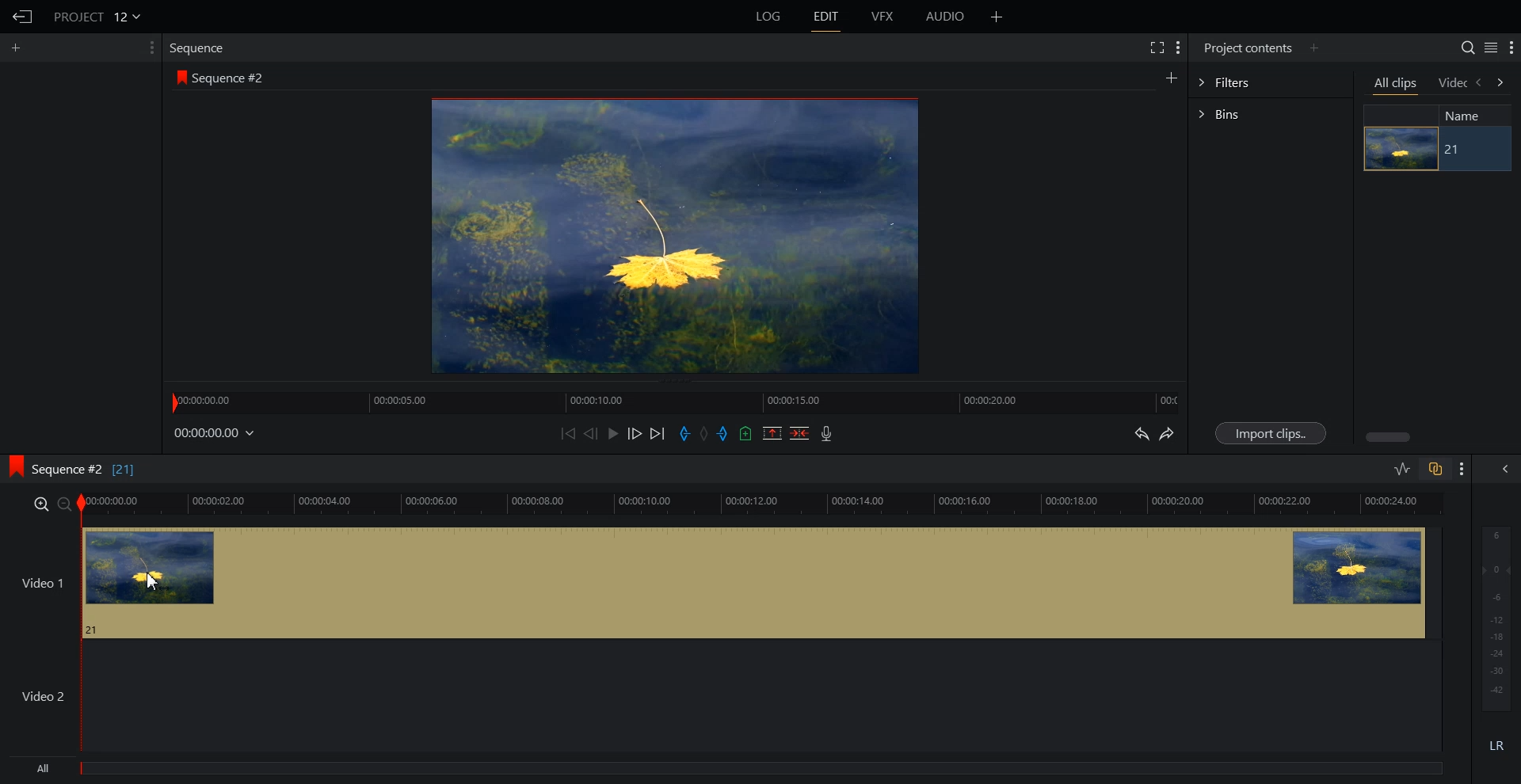  What do you see at coordinates (703, 433) in the screenshot?
I see `Clear All Marks` at bounding box center [703, 433].